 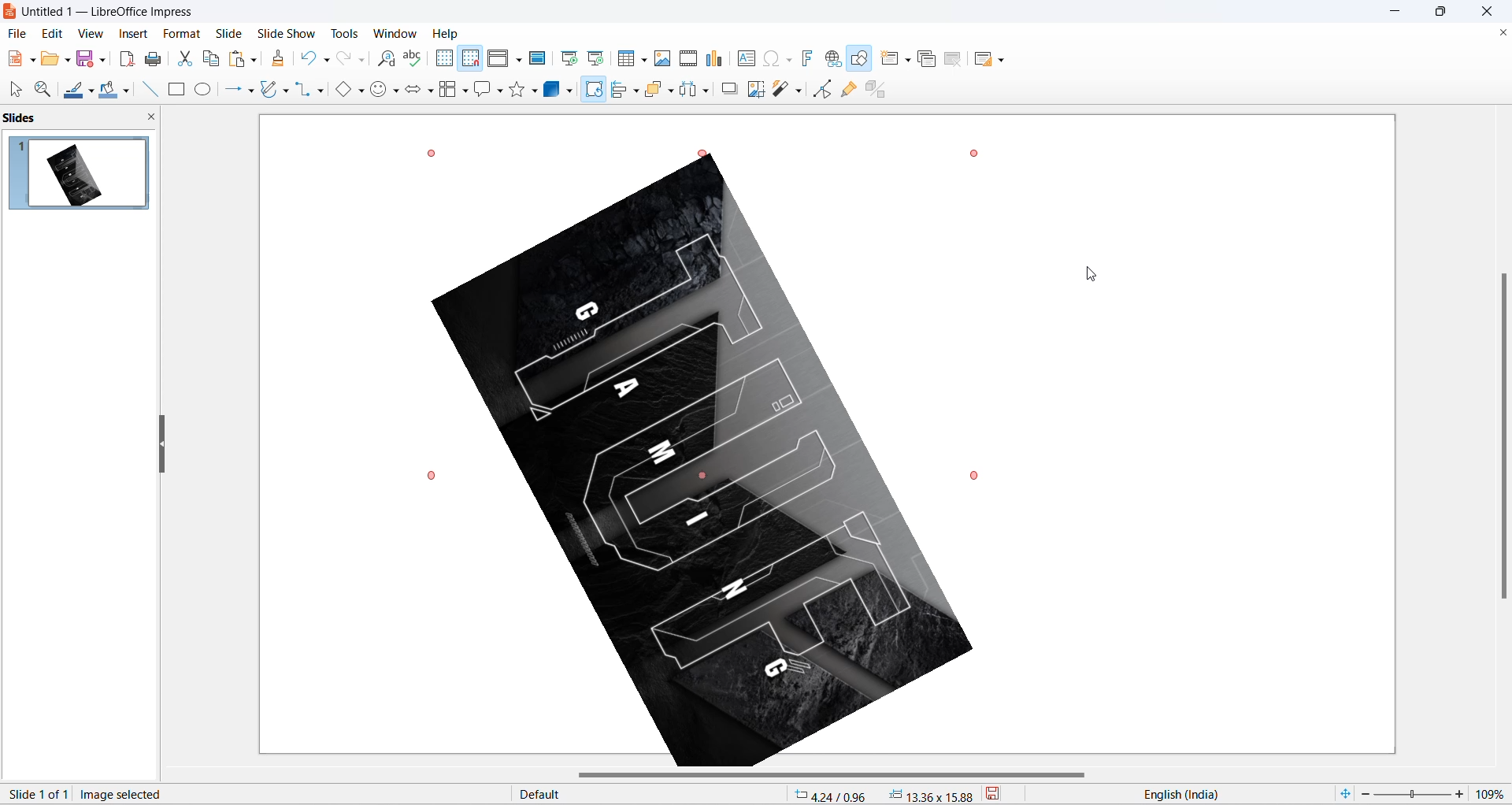 What do you see at coordinates (536, 91) in the screenshot?
I see `star options` at bounding box center [536, 91].